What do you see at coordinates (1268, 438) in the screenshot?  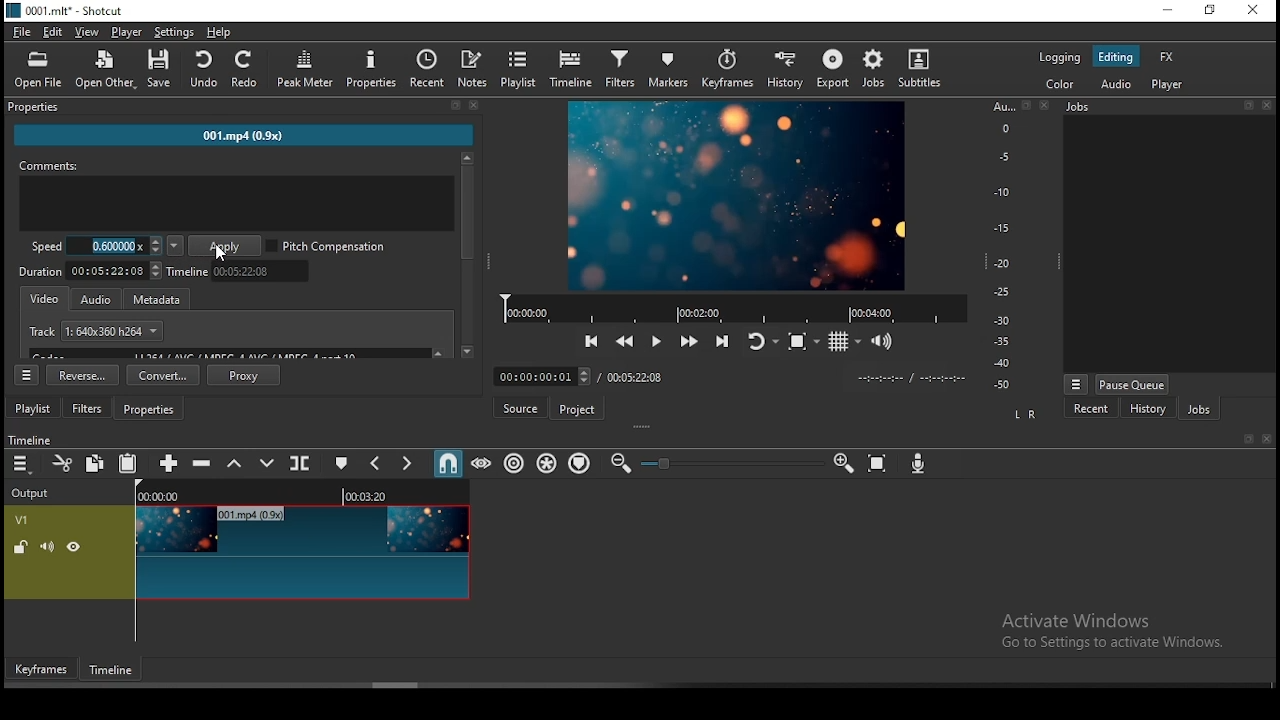 I see `close` at bounding box center [1268, 438].